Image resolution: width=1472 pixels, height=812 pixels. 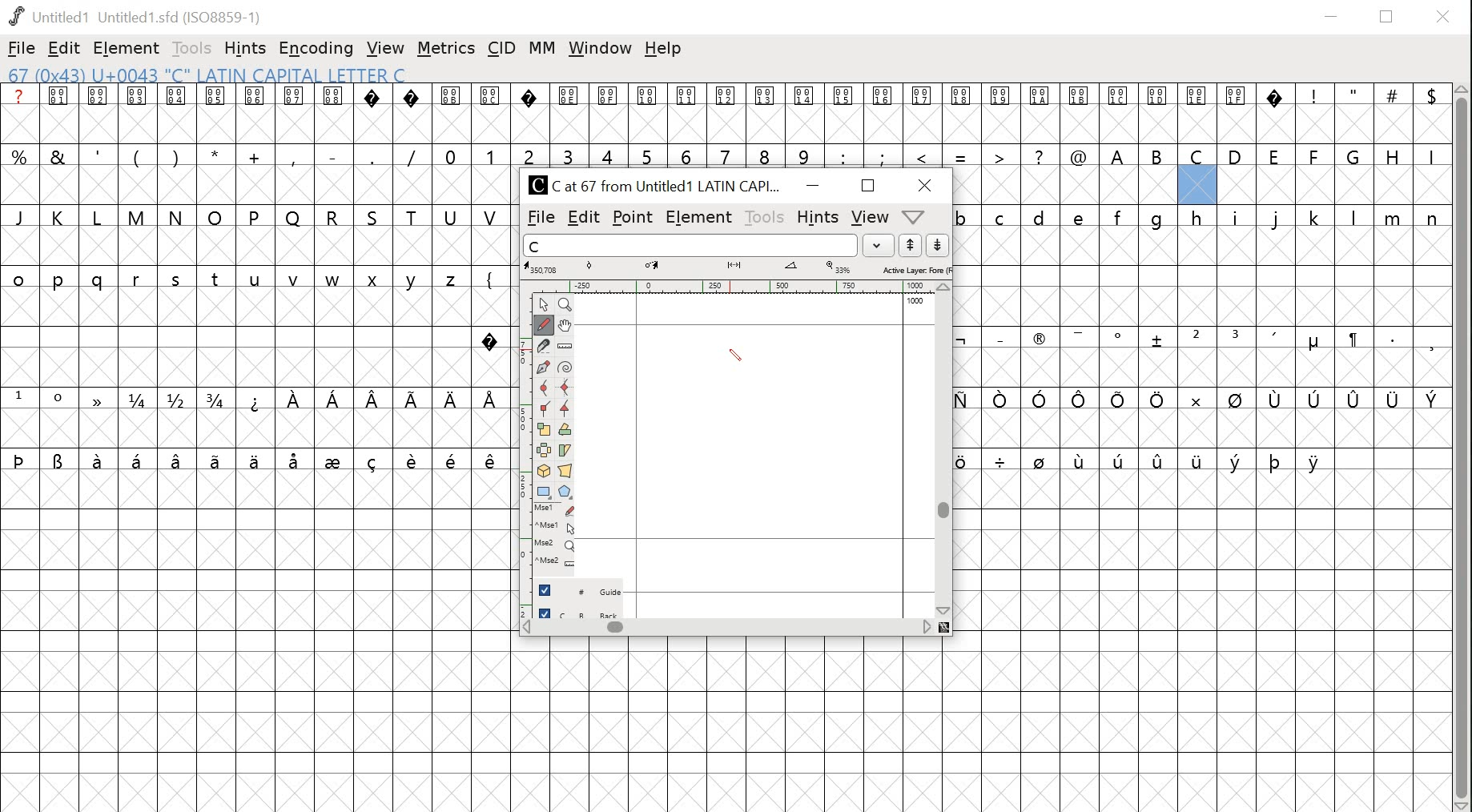 What do you see at coordinates (21, 48) in the screenshot?
I see `file` at bounding box center [21, 48].